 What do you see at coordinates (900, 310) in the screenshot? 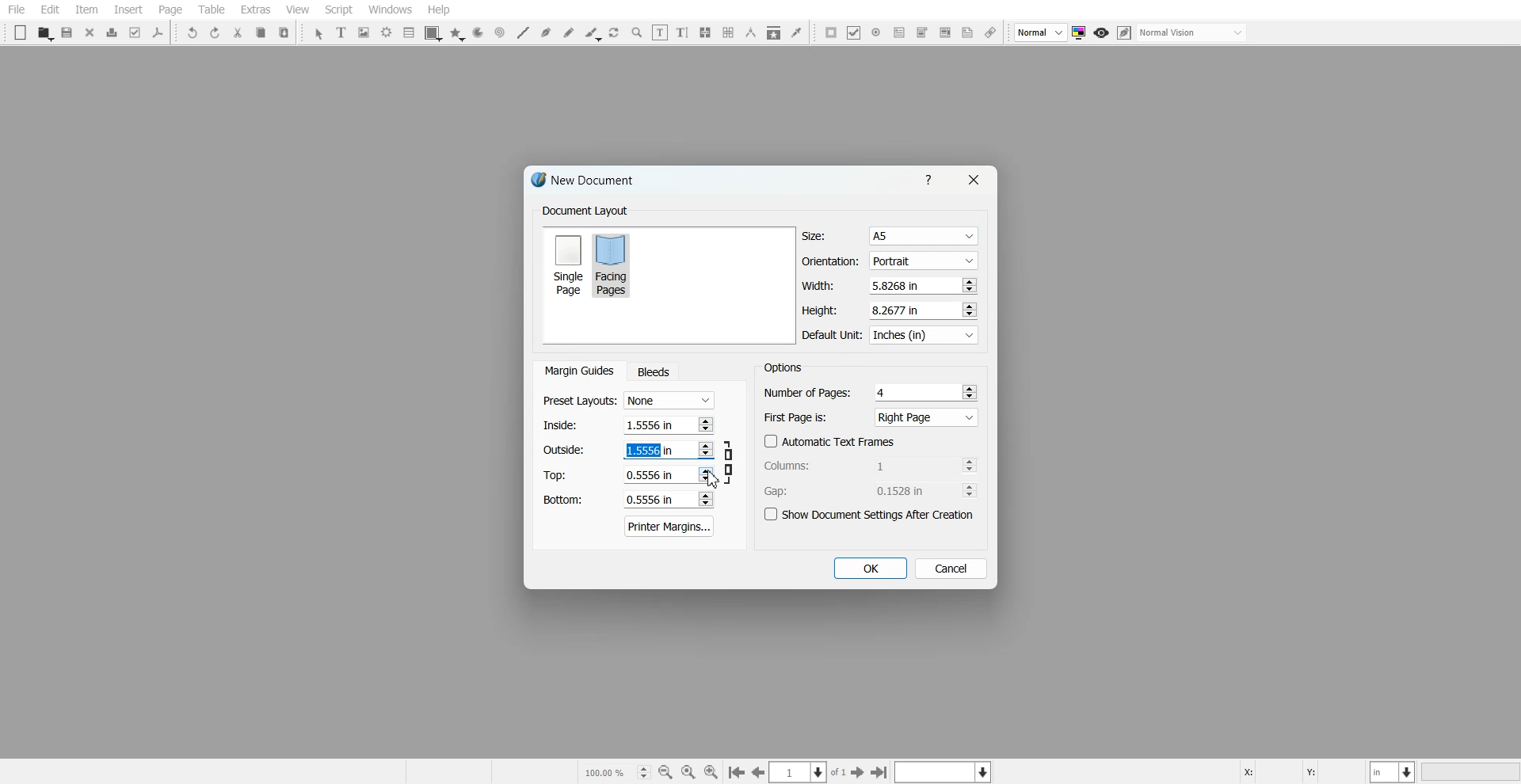
I see `8.2677 in` at bounding box center [900, 310].